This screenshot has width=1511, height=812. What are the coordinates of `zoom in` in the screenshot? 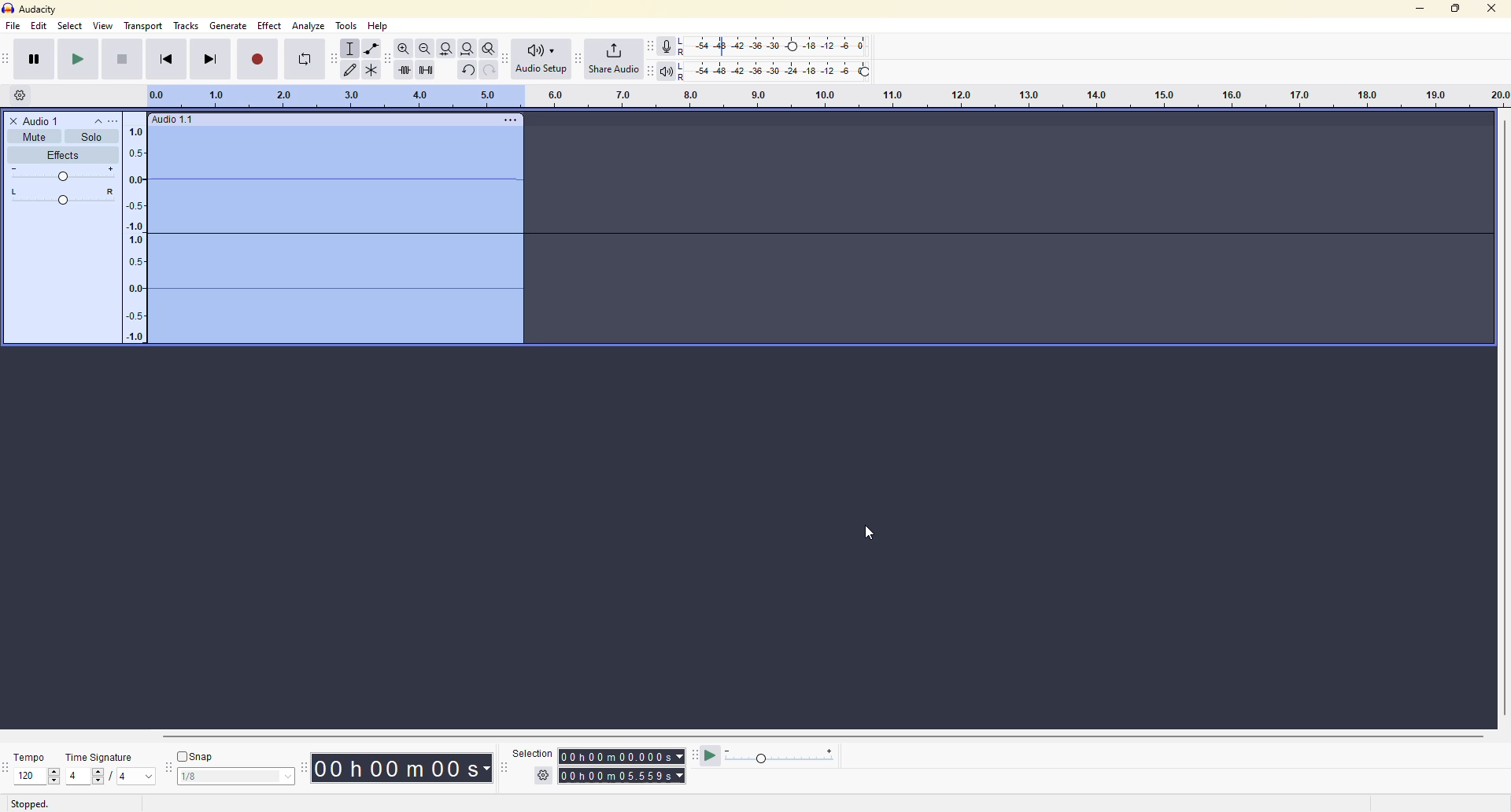 It's located at (400, 49).